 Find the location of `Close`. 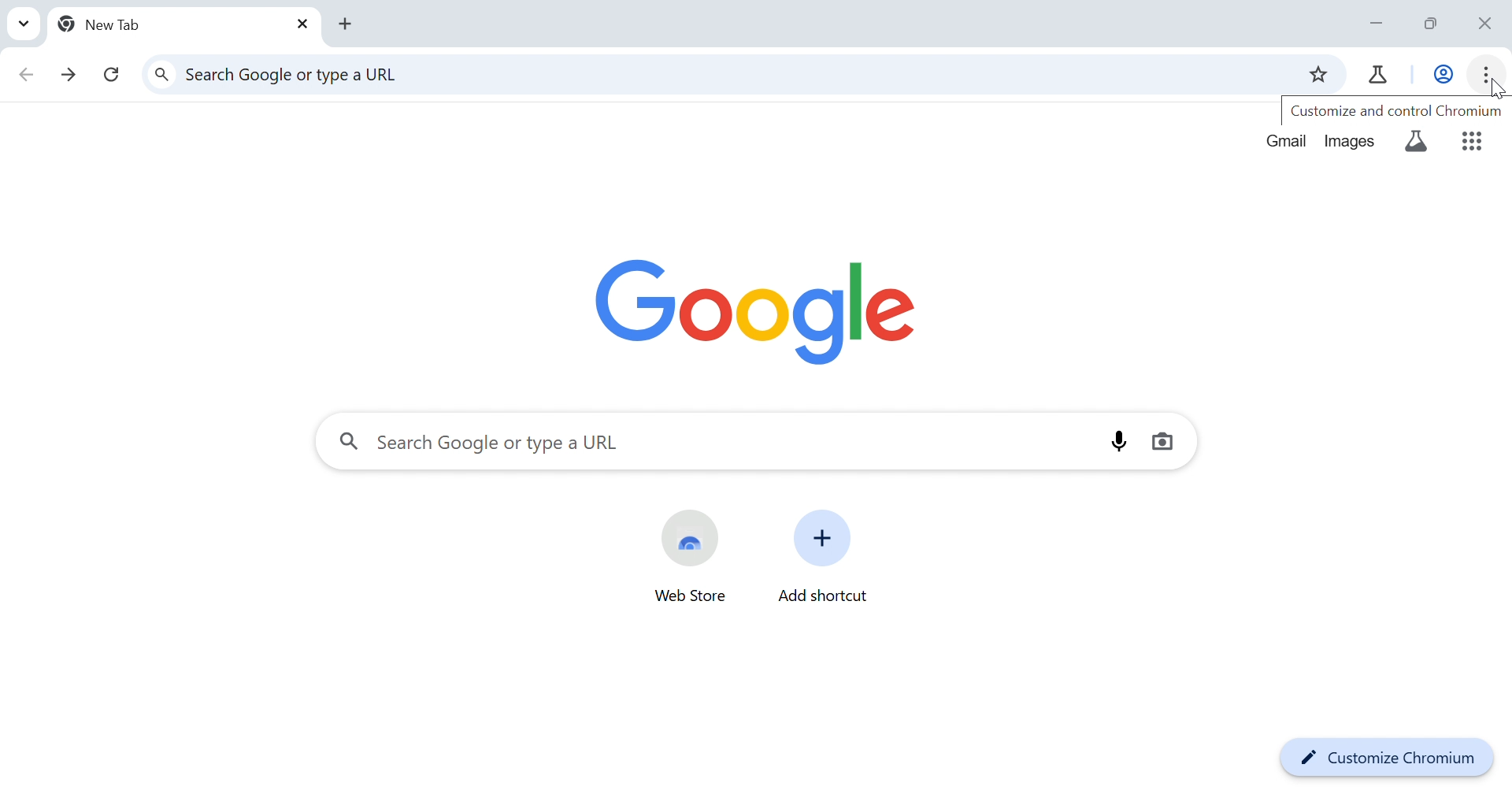

Close is located at coordinates (1481, 25).